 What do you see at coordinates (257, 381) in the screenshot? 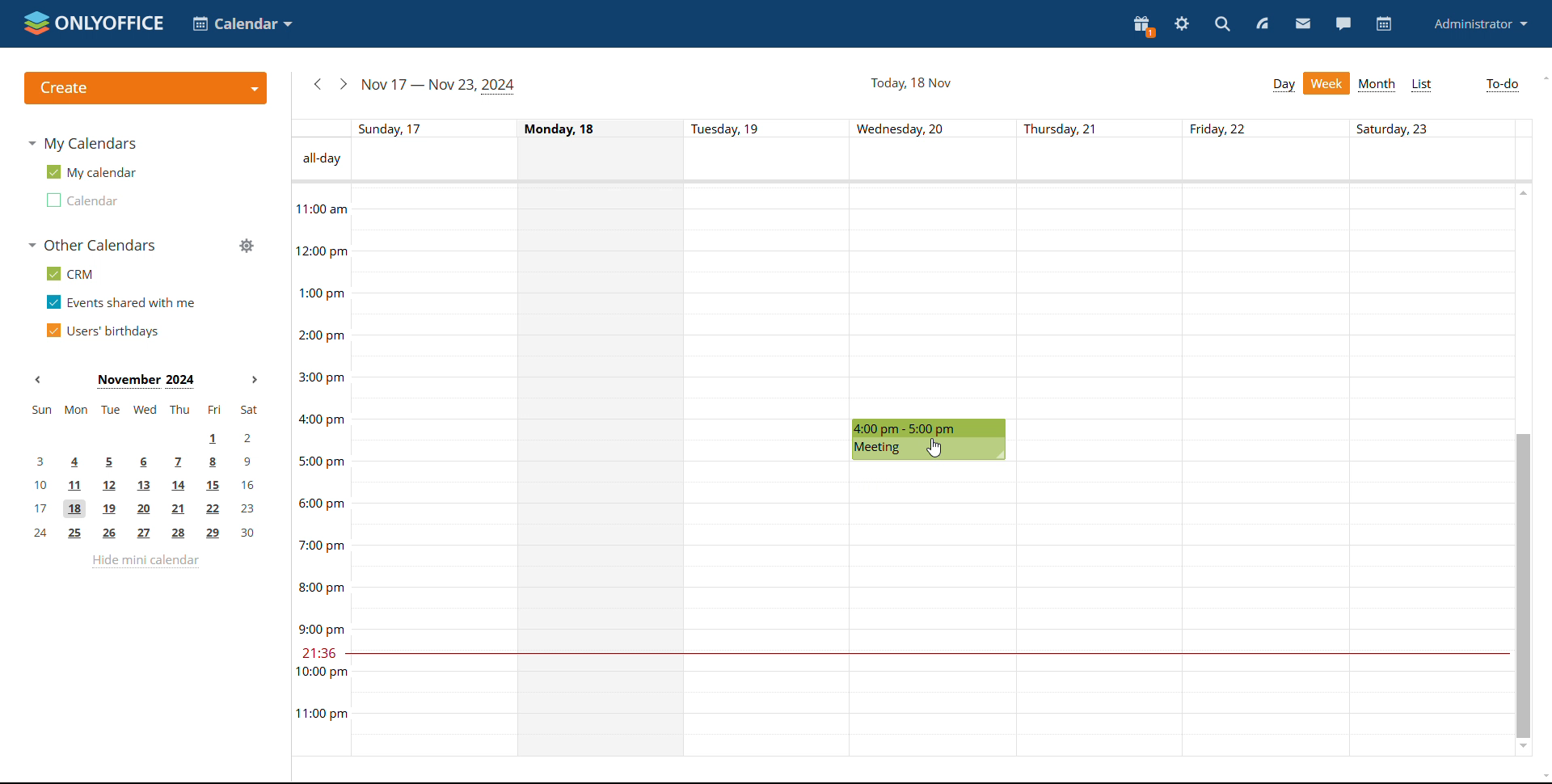
I see `next month` at bounding box center [257, 381].